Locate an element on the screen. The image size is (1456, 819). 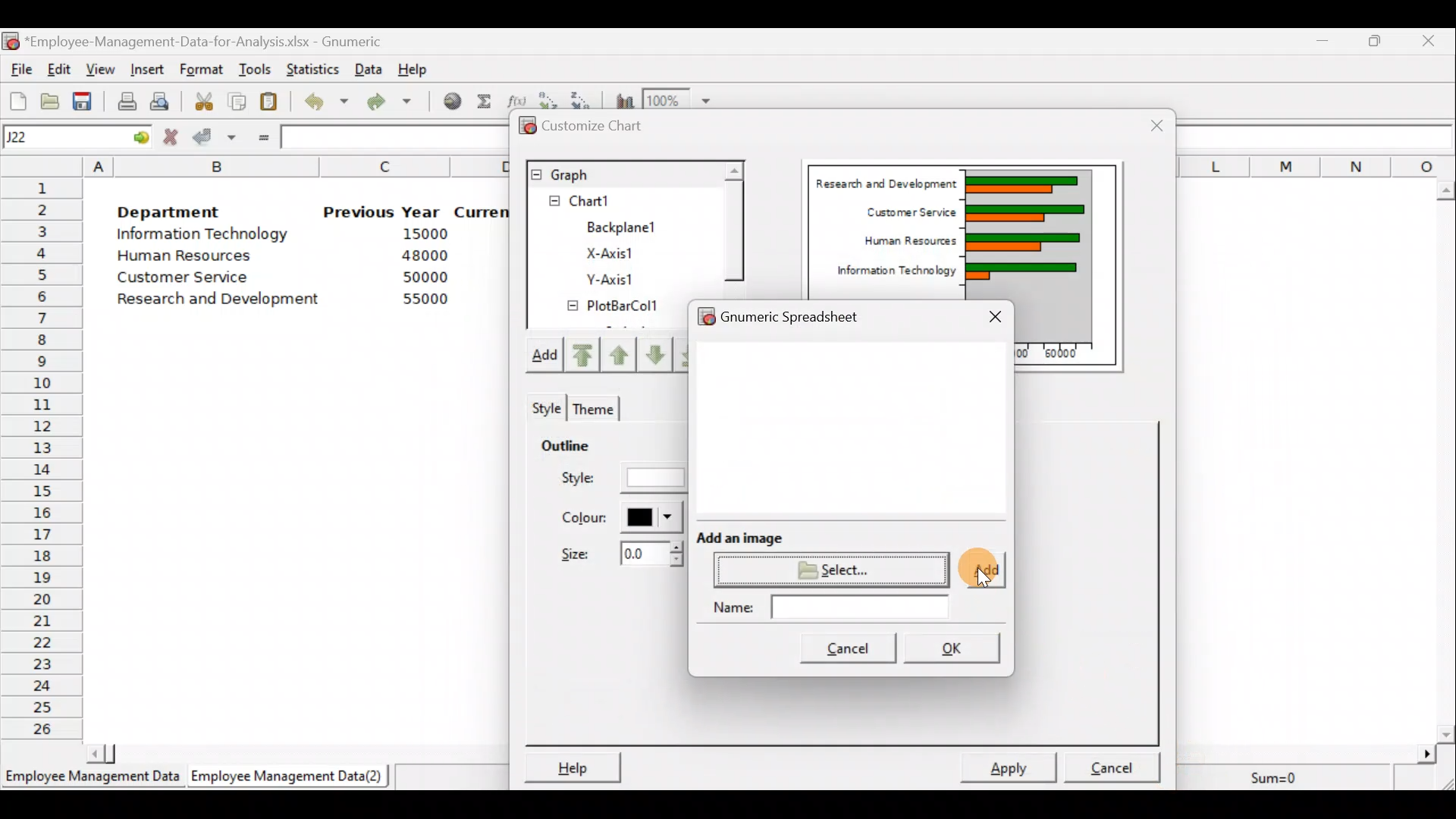
X-axis1 is located at coordinates (620, 251).